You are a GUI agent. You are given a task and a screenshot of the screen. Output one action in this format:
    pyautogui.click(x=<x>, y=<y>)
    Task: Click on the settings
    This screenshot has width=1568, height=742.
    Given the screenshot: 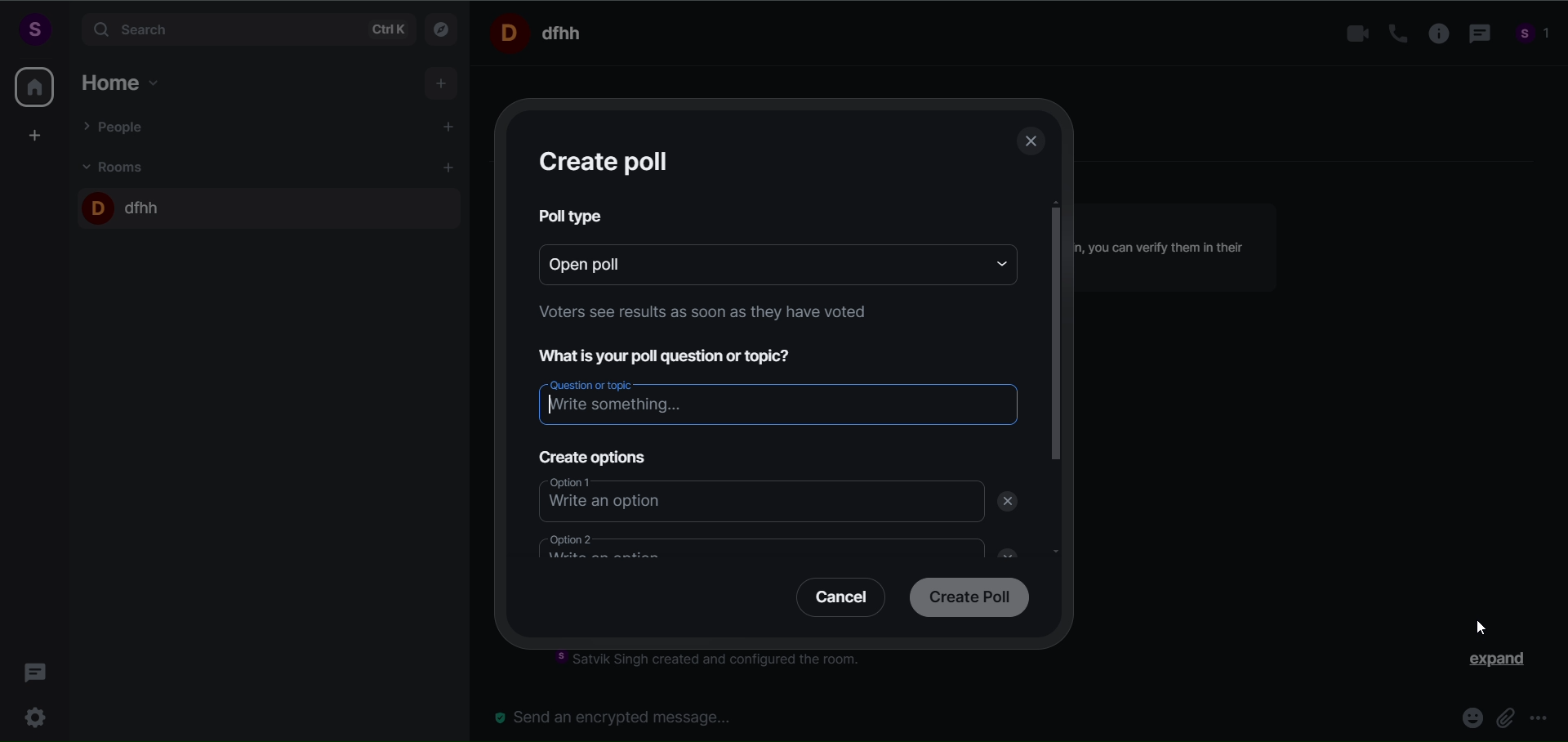 What is the action you would take?
    pyautogui.click(x=39, y=715)
    